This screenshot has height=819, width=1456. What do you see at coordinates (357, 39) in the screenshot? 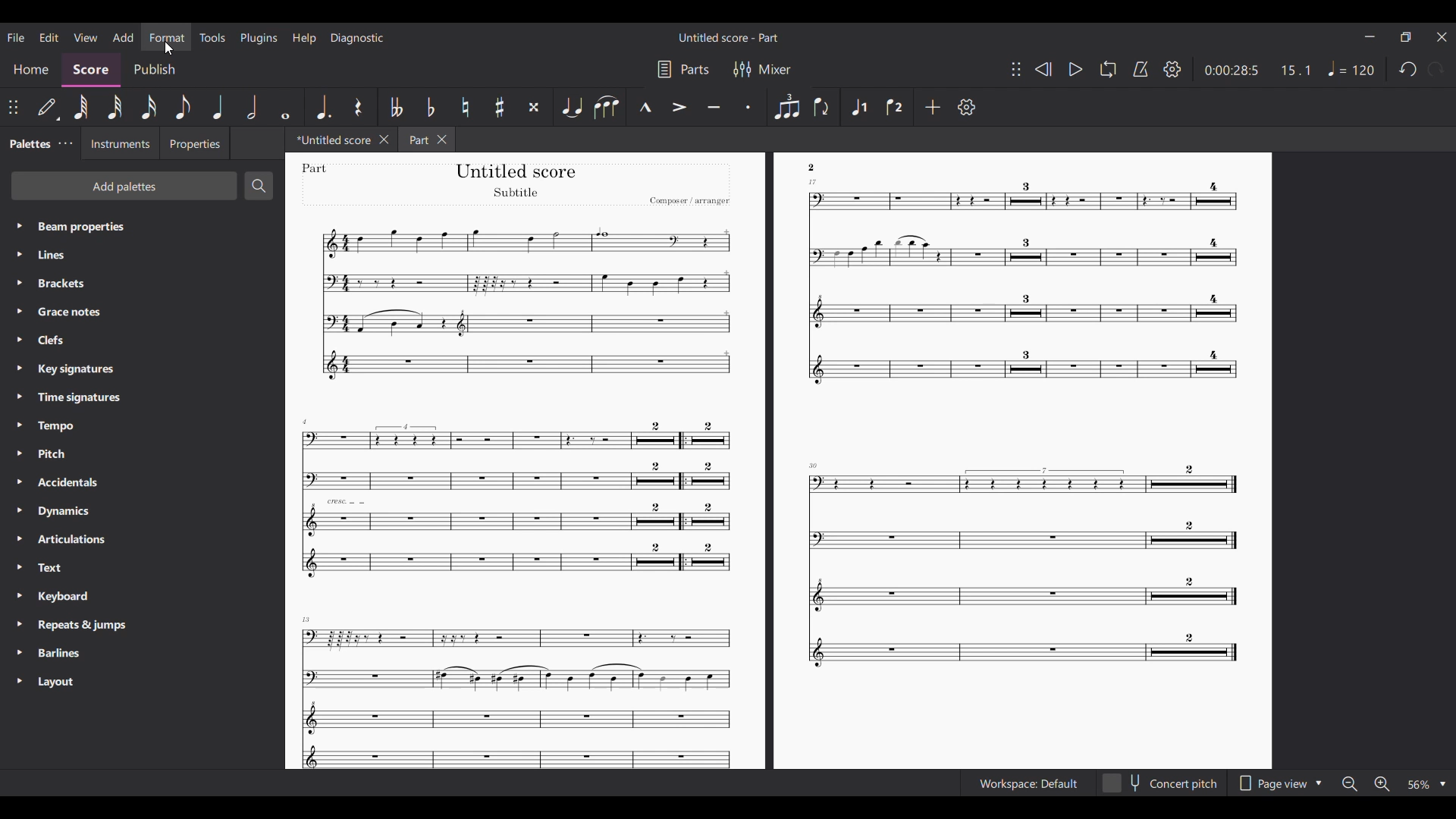
I see `Diagnostic menu` at bounding box center [357, 39].